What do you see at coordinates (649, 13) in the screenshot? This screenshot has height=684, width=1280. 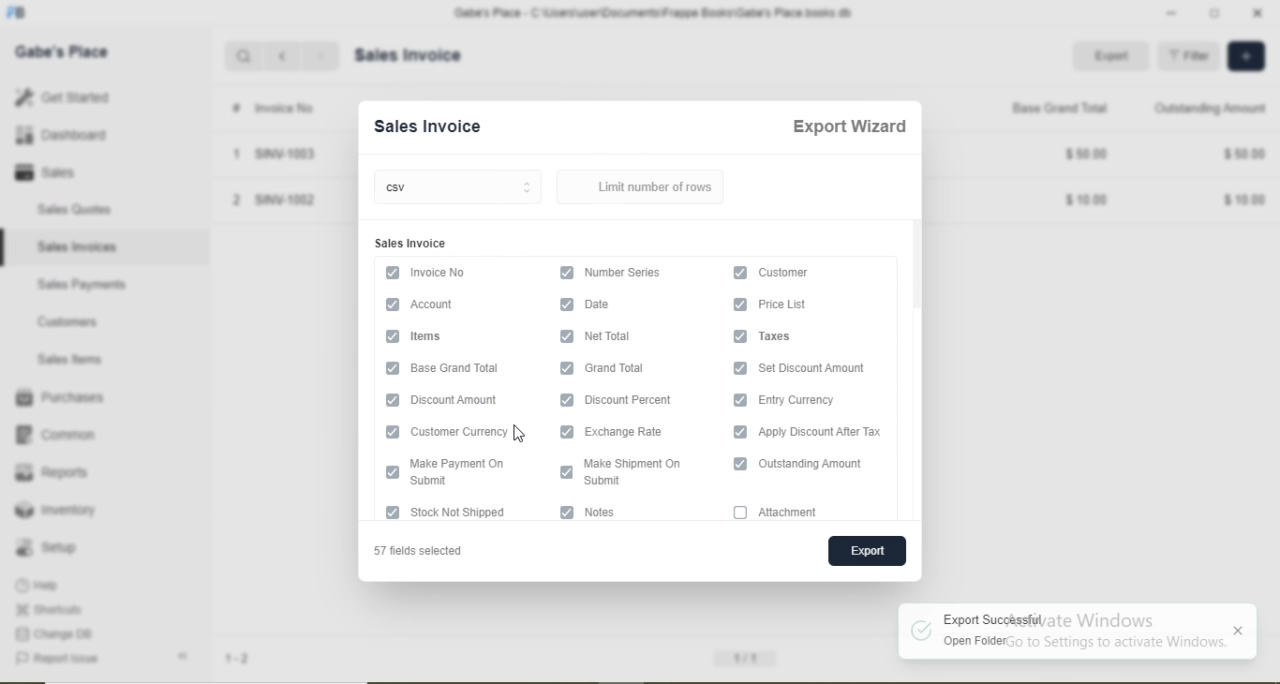 I see `Gabe's Place - C\Users\useriDocuments\Frappe Books\Gabe's Place books db` at bounding box center [649, 13].